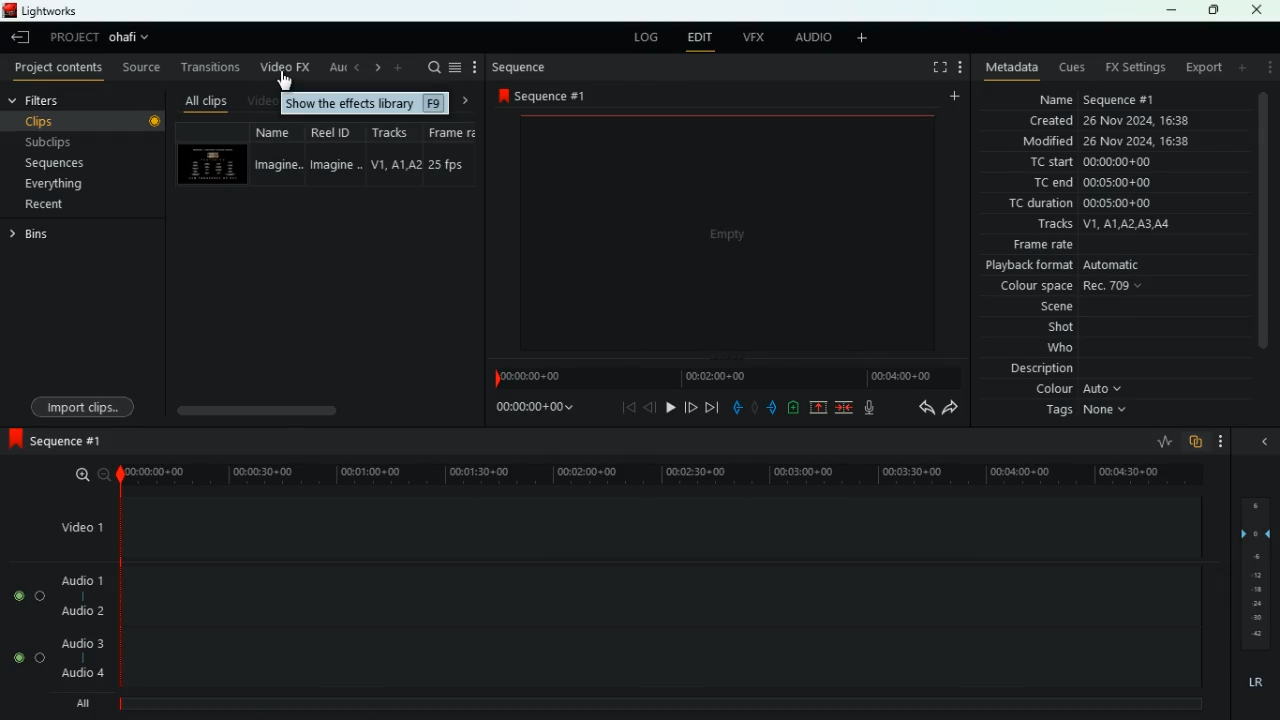  Describe the element at coordinates (1114, 225) in the screenshot. I see `tracks` at that location.